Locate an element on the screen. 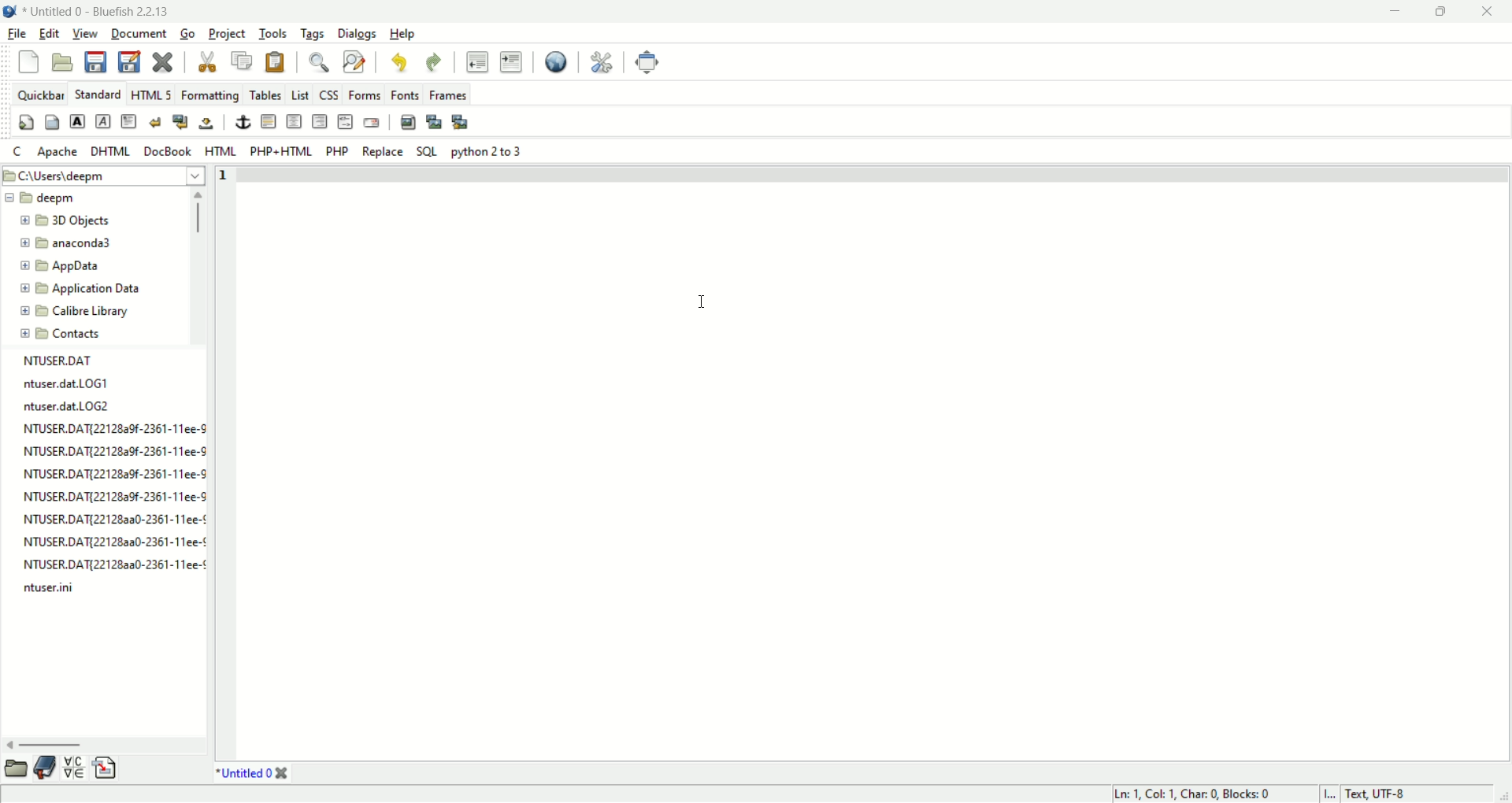  unindent is located at coordinates (478, 61).